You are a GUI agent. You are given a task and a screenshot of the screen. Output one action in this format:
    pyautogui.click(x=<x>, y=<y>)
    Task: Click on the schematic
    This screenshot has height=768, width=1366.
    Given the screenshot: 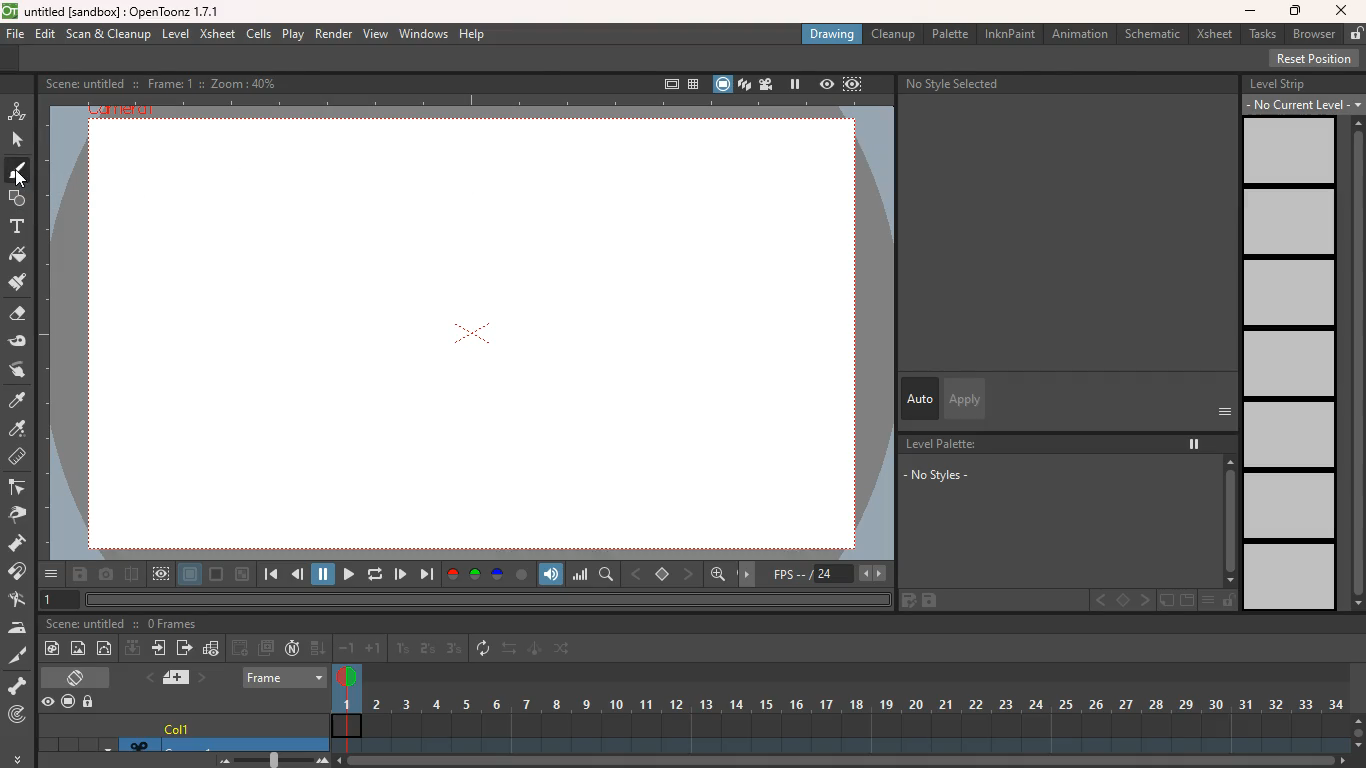 What is the action you would take?
    pyautogui.click(x=1154, y=34)
    